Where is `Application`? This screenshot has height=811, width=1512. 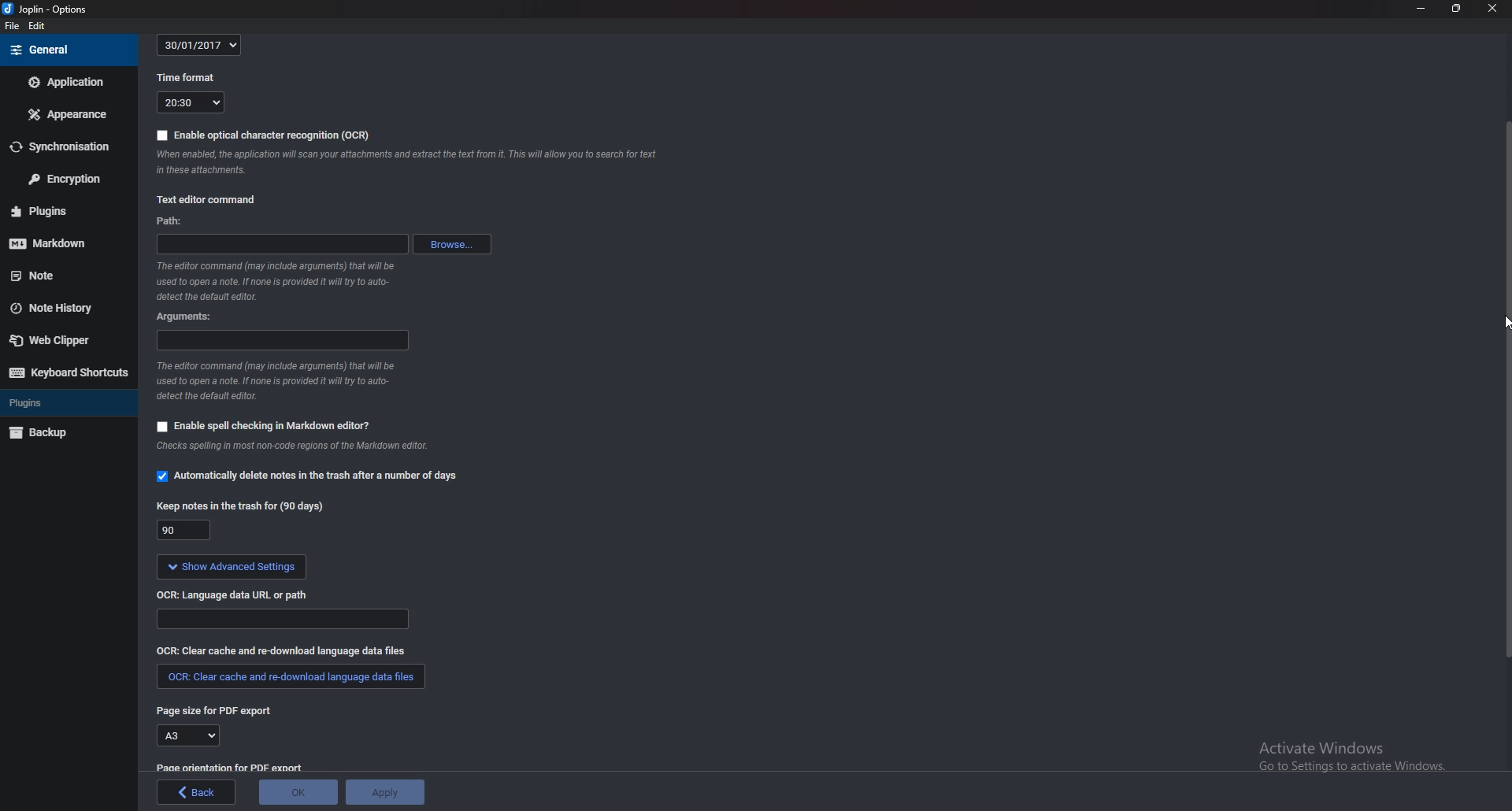
Application is located at coordinates (65, 83).